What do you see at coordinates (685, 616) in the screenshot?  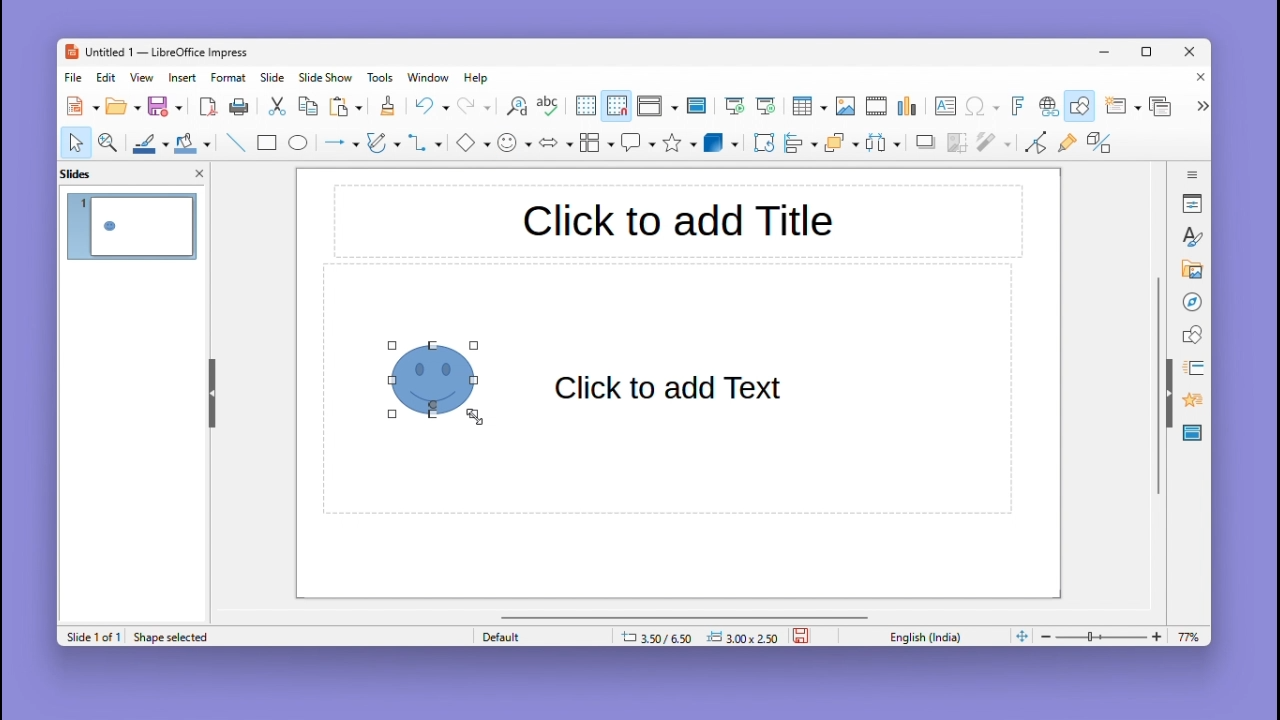 I see `Horizontal scroll bar` at bounding box center [685, 616].